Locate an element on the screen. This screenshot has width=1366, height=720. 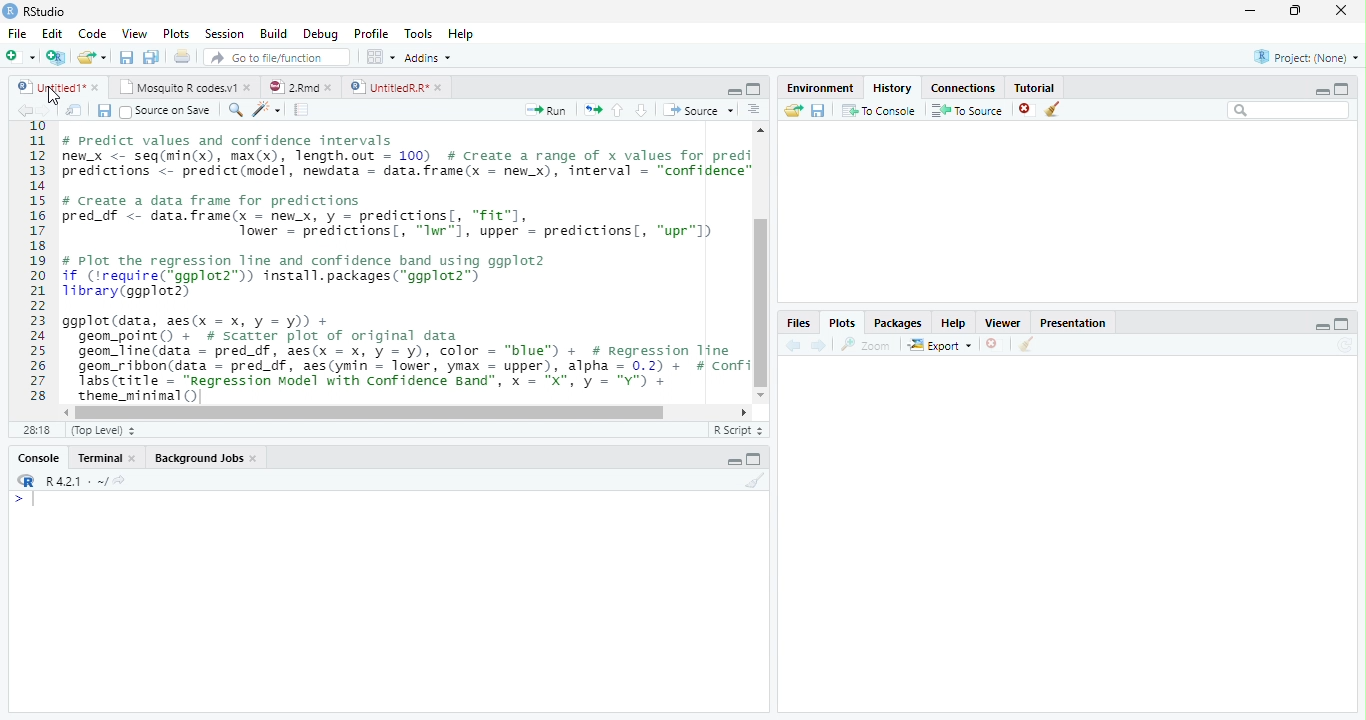
Save is located at coordinates (818, 113).